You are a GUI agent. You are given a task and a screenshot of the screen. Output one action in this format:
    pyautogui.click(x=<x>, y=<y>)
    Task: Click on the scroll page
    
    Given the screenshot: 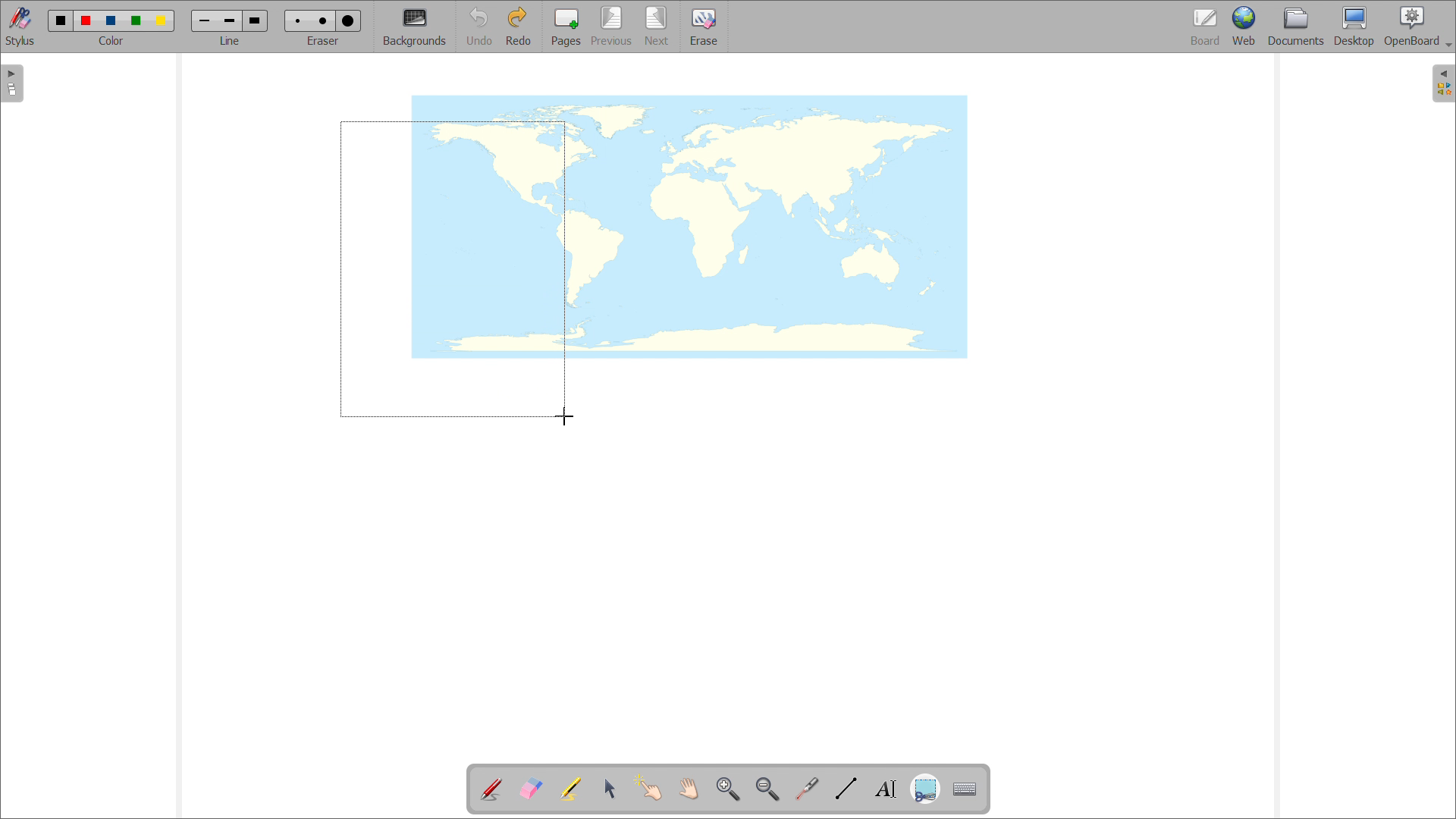 What is the action you would take?
    pyautogui.click(x=688, y=788)
    